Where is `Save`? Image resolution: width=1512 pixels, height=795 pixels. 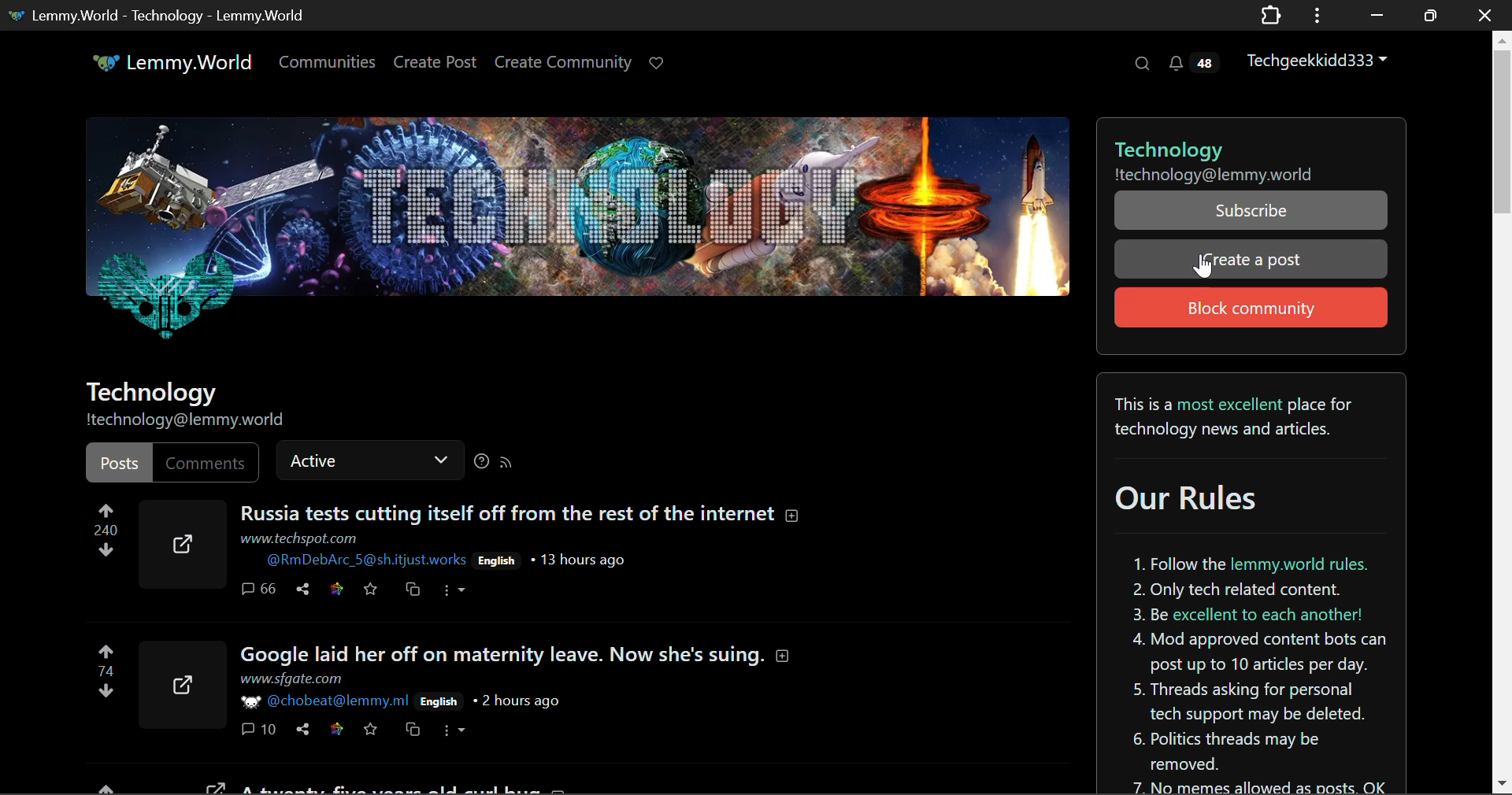
Save is located at coordinates (372, 730).